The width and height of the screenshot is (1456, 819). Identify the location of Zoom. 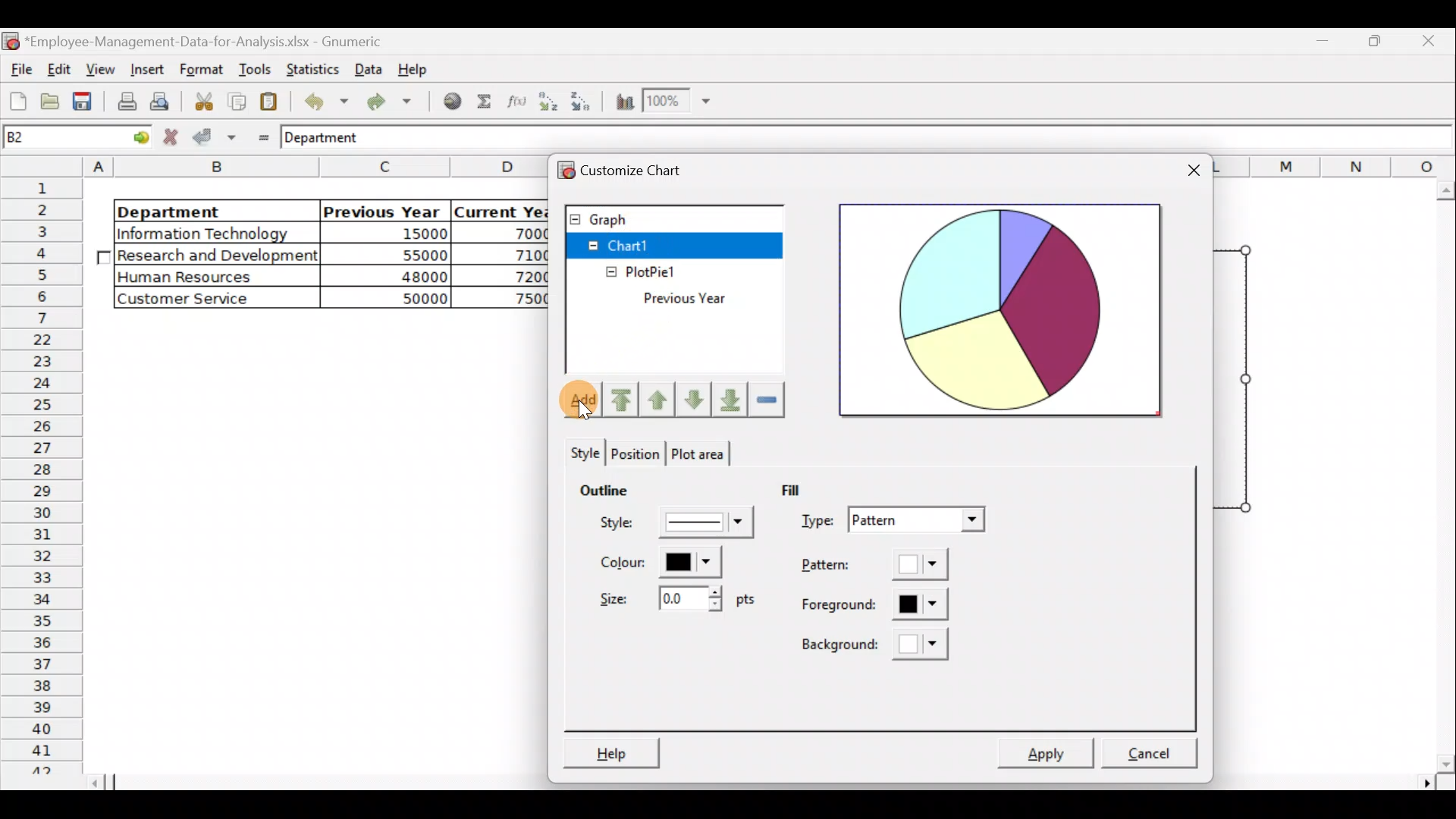
(676, 103).